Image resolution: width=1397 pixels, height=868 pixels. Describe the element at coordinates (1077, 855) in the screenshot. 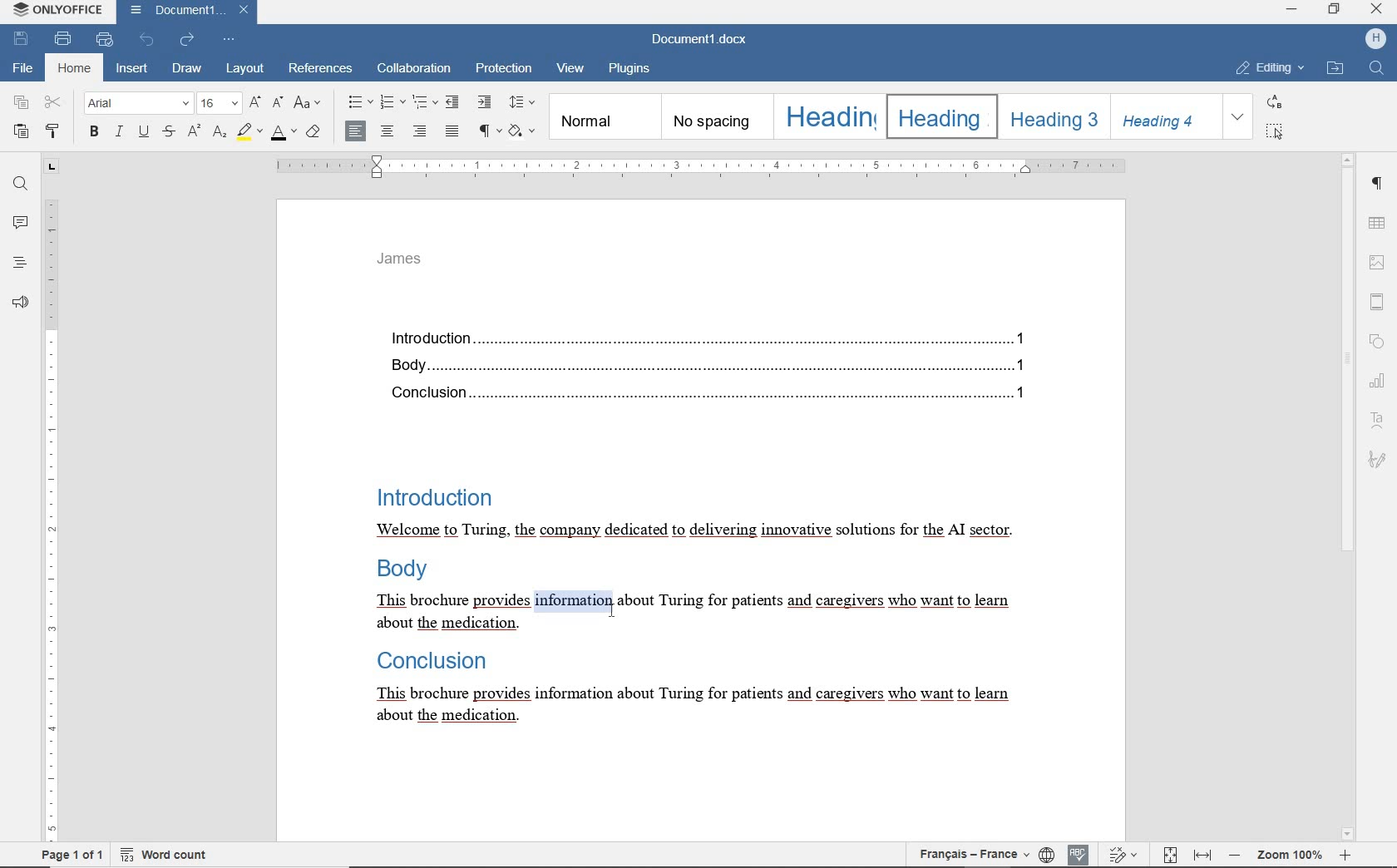

I see `SPELL CHECKING` at that location.